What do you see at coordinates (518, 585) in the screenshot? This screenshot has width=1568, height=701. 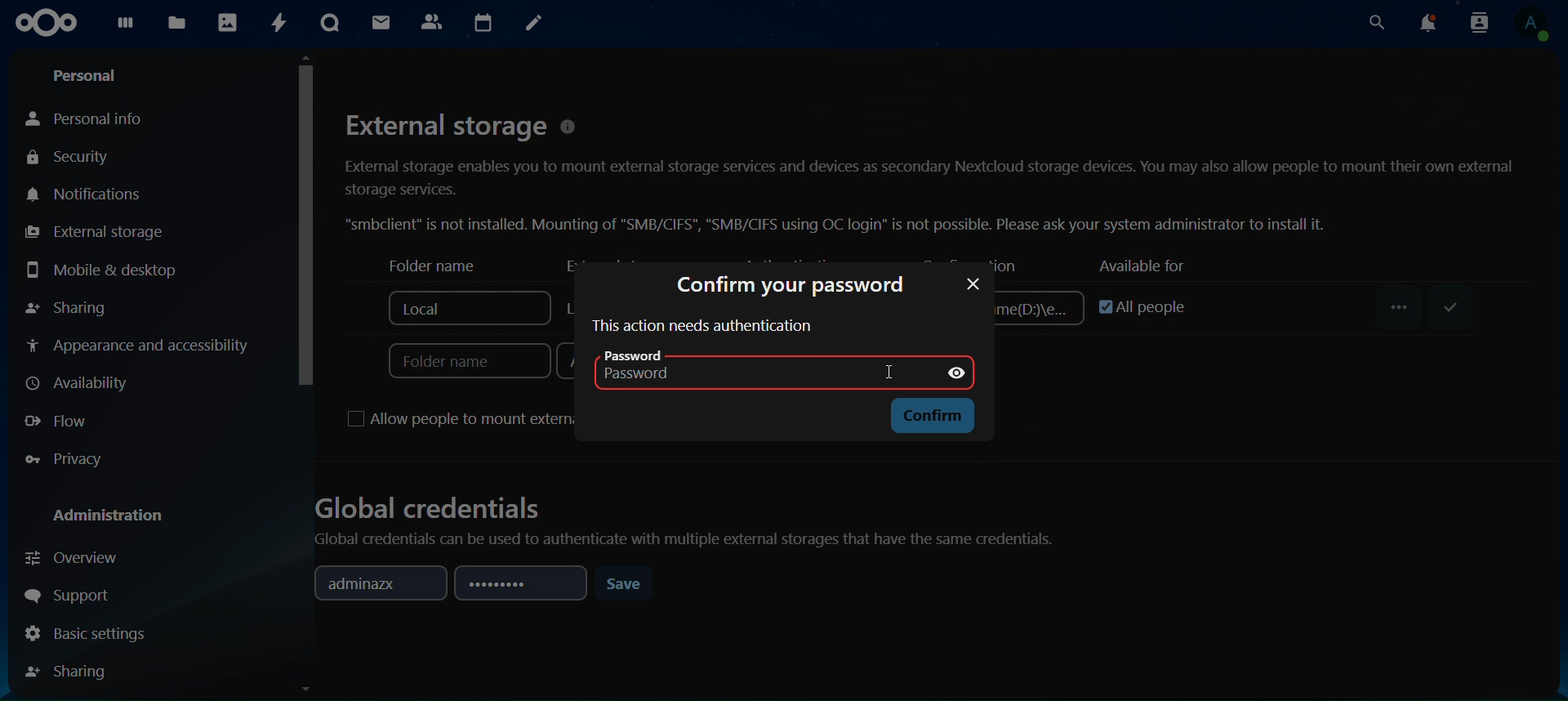 I see `password` at bounding box center [518, 585].